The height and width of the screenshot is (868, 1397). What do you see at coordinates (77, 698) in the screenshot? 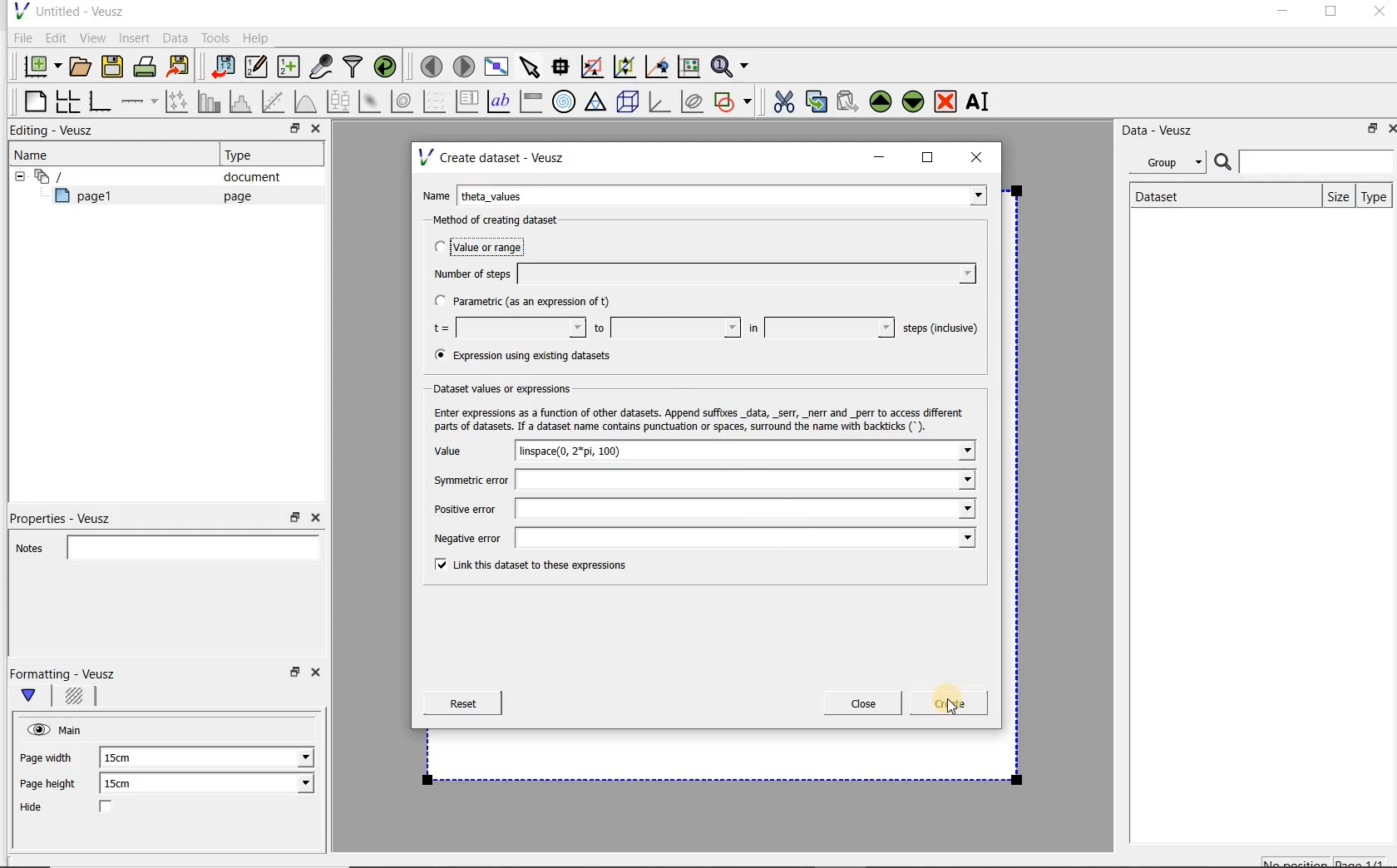
I see `Background` at bounding box center [77, 698].